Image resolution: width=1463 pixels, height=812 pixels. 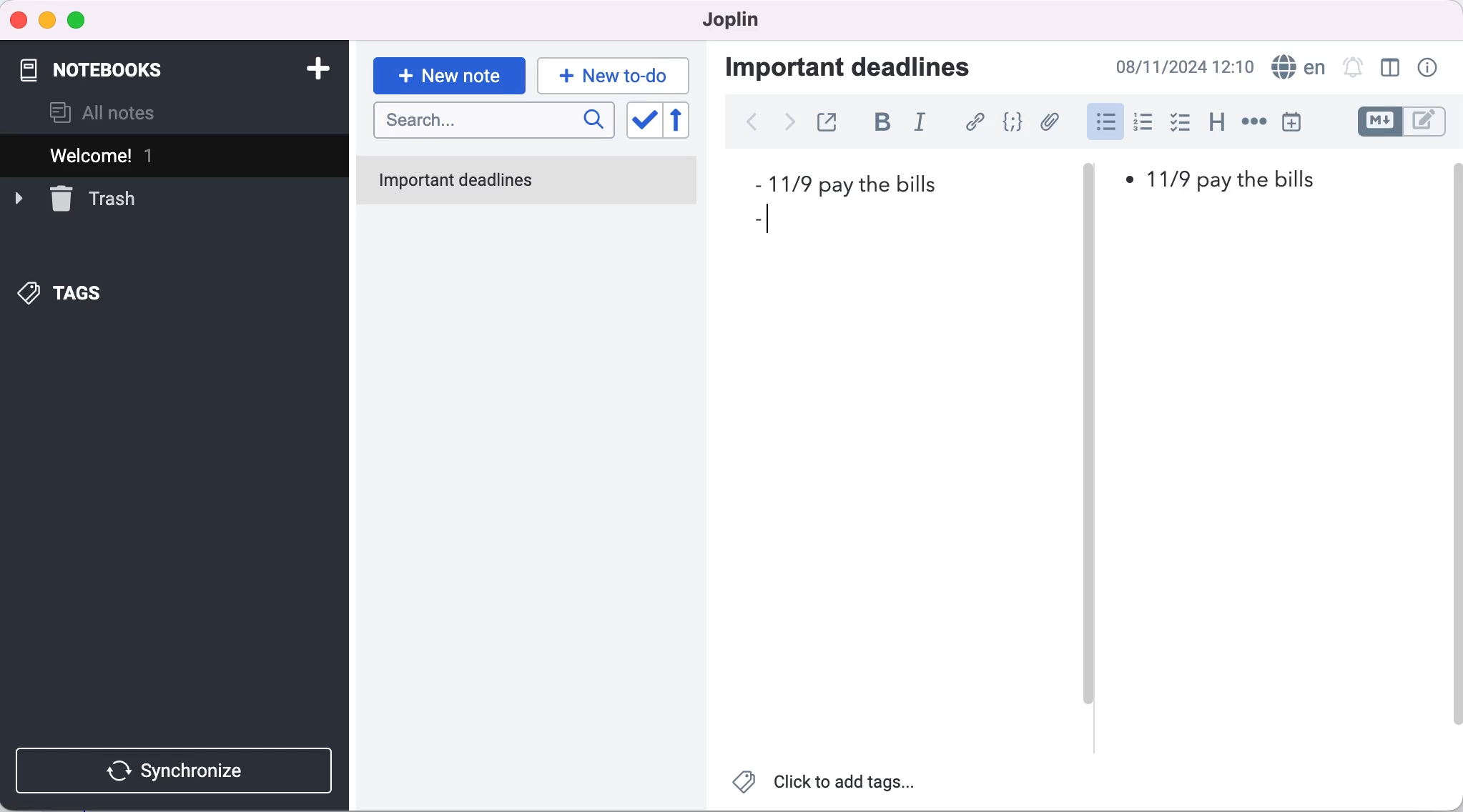 What do you see at coordinates (1187, 66) in the screenshot?
I see `time and date` at bounding box center [1187, 66].